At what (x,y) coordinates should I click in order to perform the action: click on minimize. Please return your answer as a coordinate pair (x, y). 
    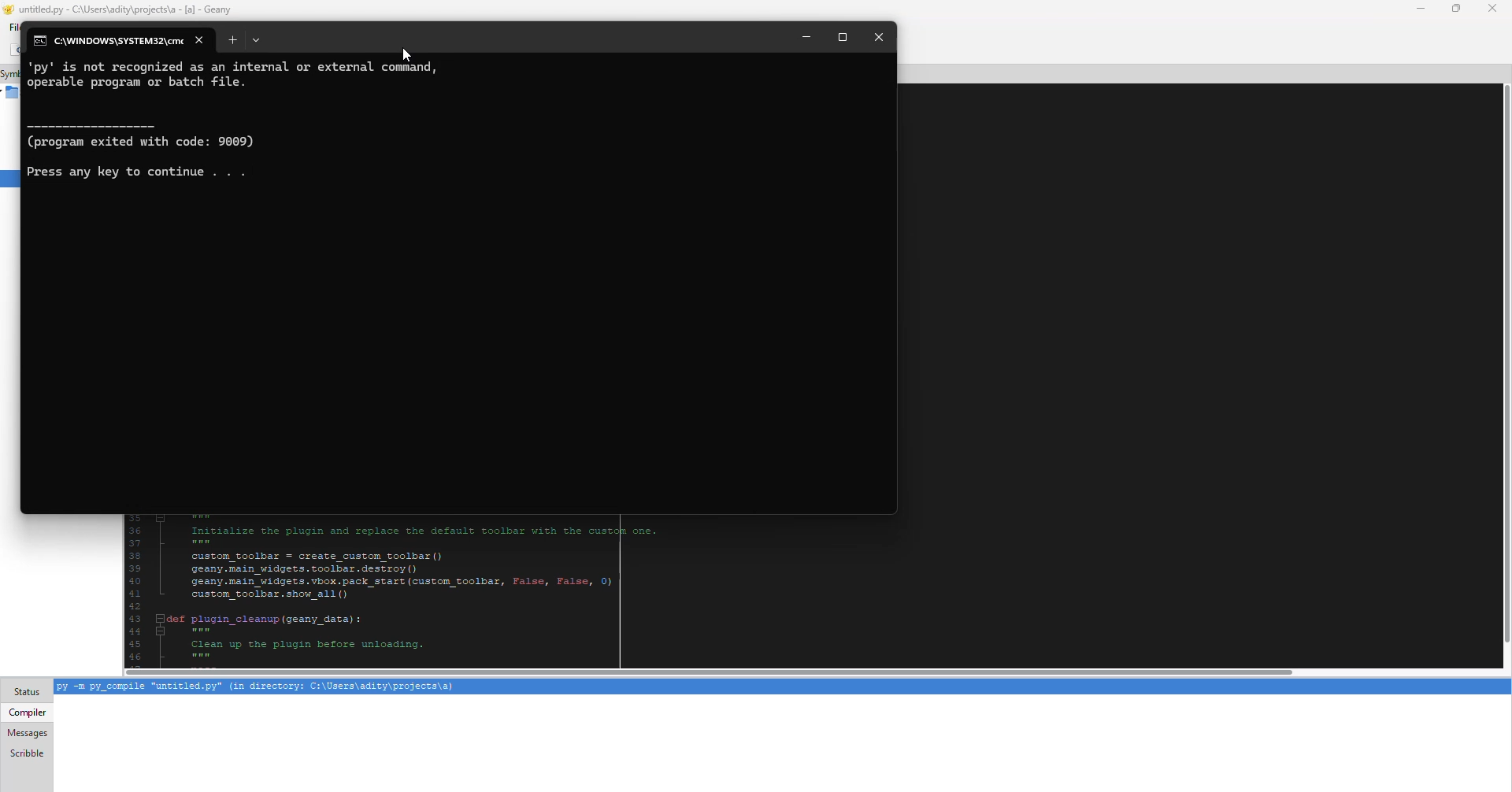
    Looking at the image, I should click on (805, 38).